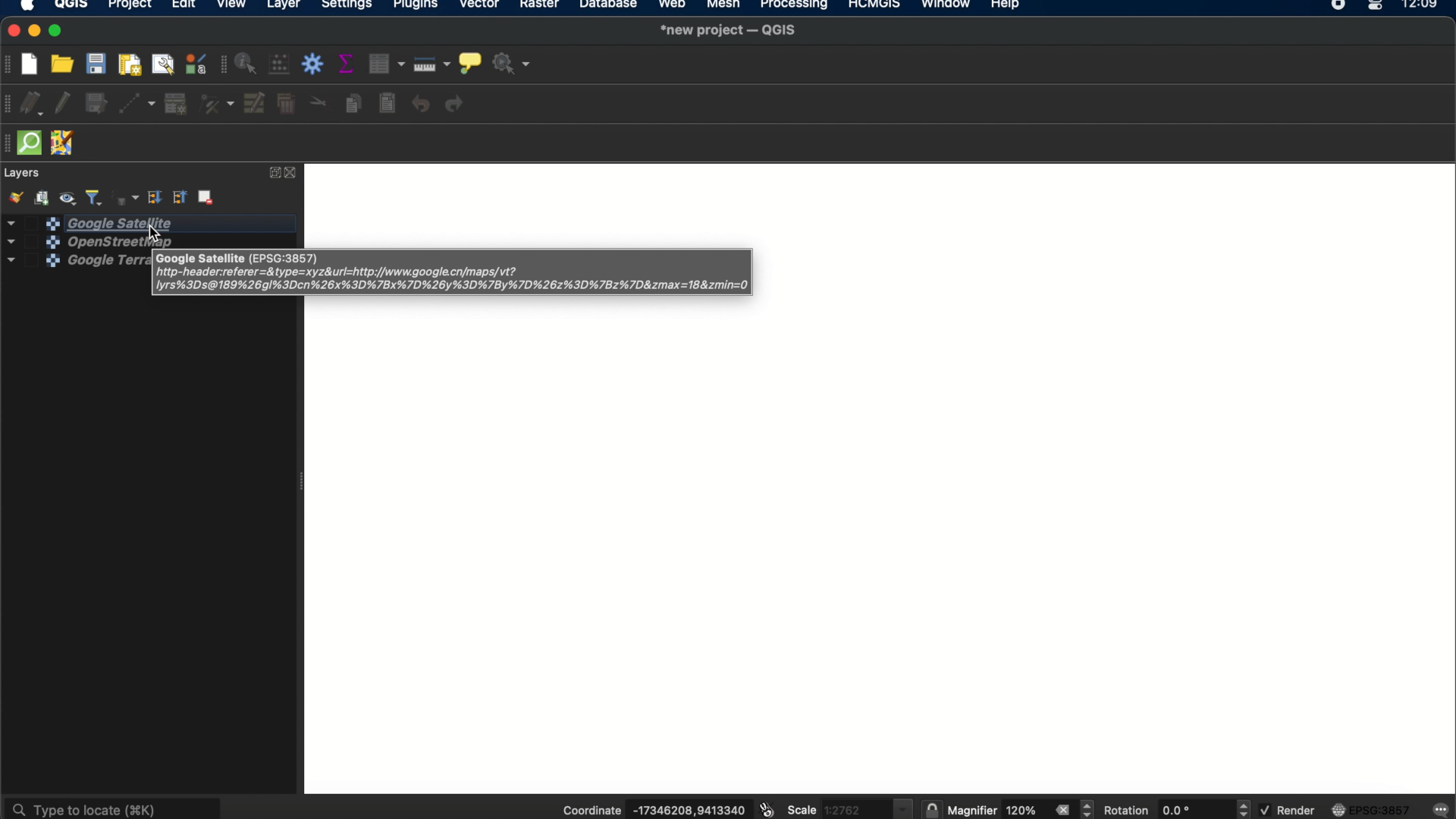  What do you see at coordinates (1374, 809) in the screenshot?
I see `EPSG:3857` at bounding box center [1374, 809].